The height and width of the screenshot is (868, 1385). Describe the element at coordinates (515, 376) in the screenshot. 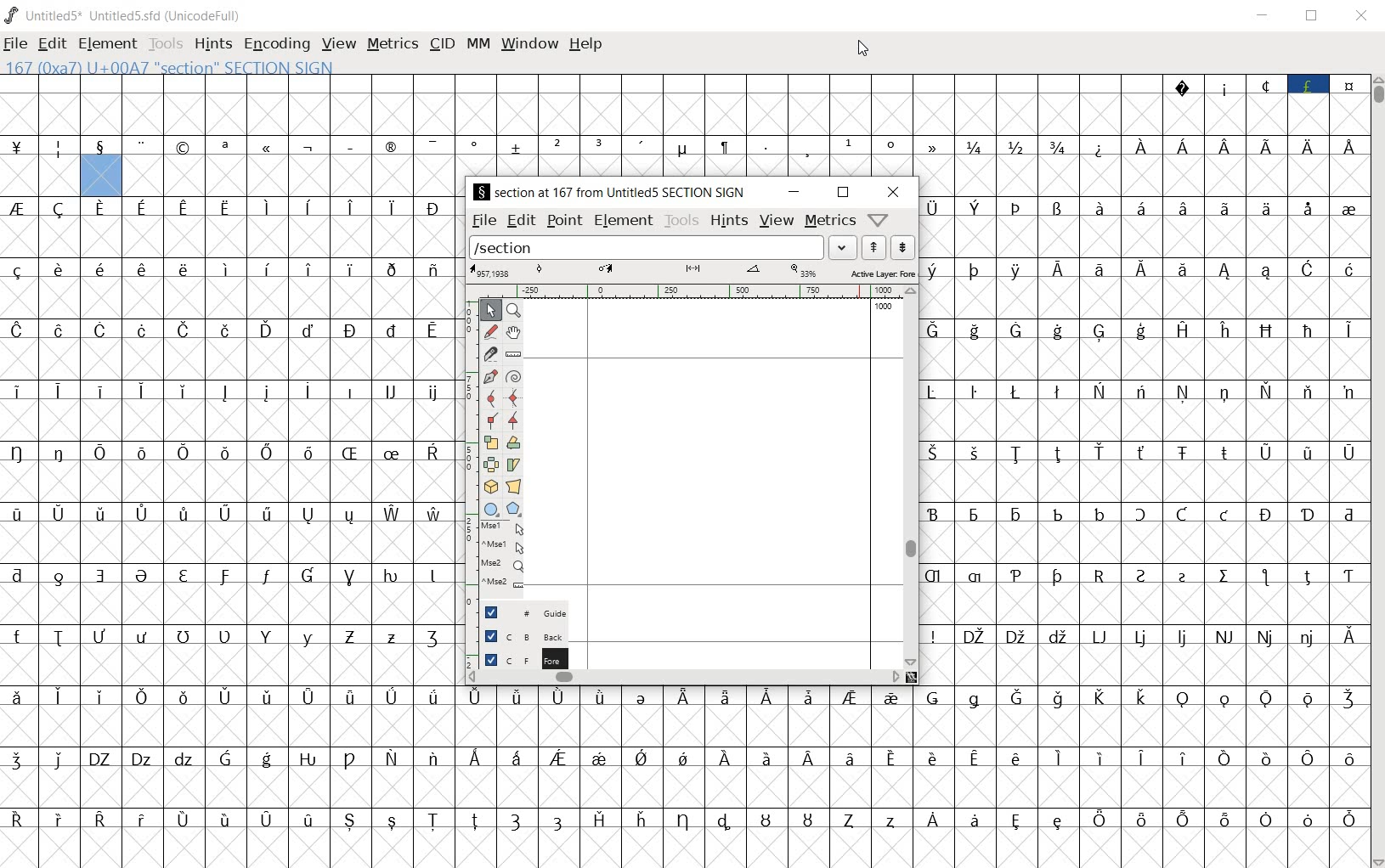

I see `change whether spiro is active or not` at that location.